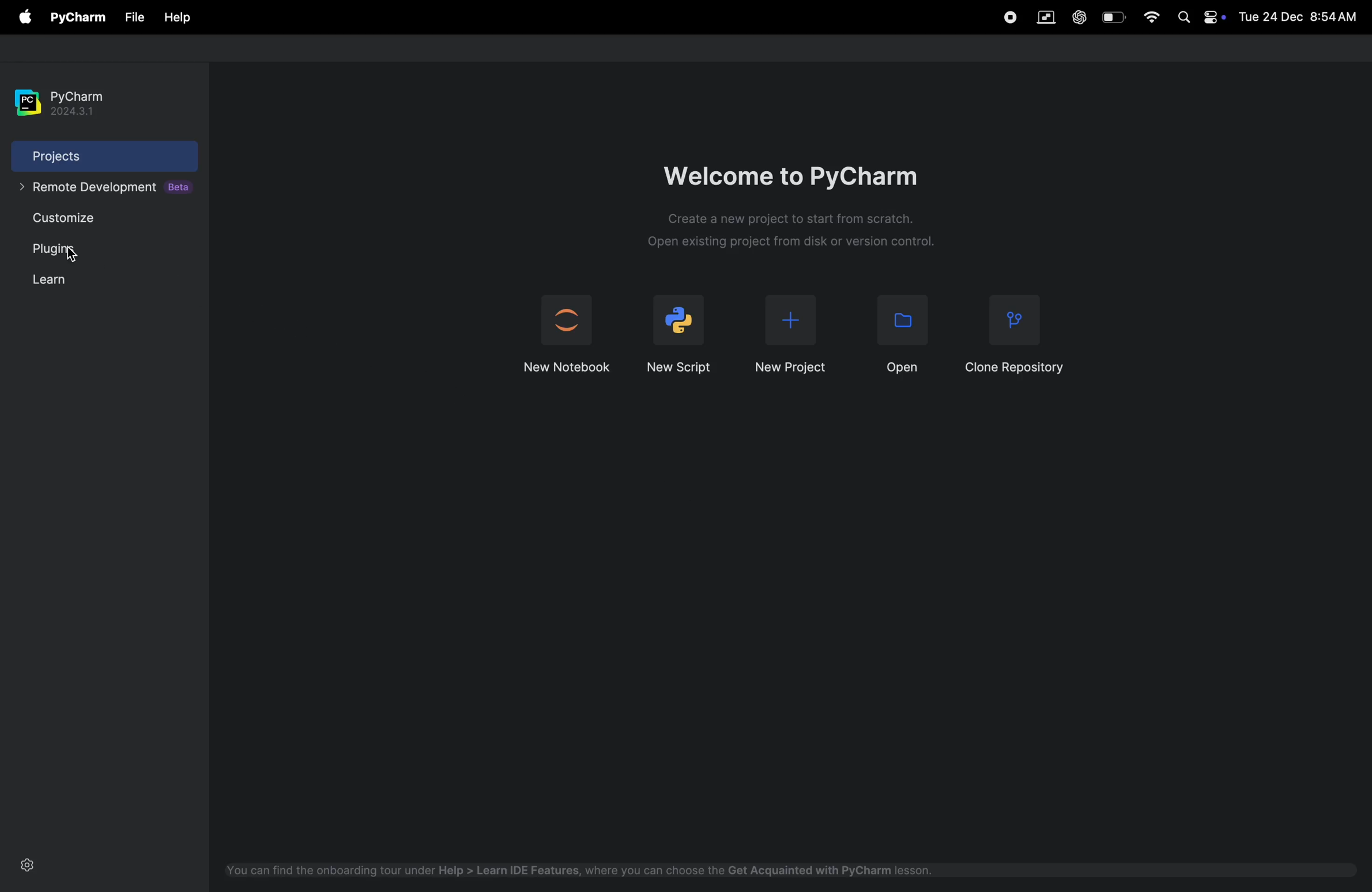 This screenshot has height=892, width=1372. What do you see at coordinates (1076, 16) in the screenshot?
I see `chatgpt` at bounding box center [1076, 16].